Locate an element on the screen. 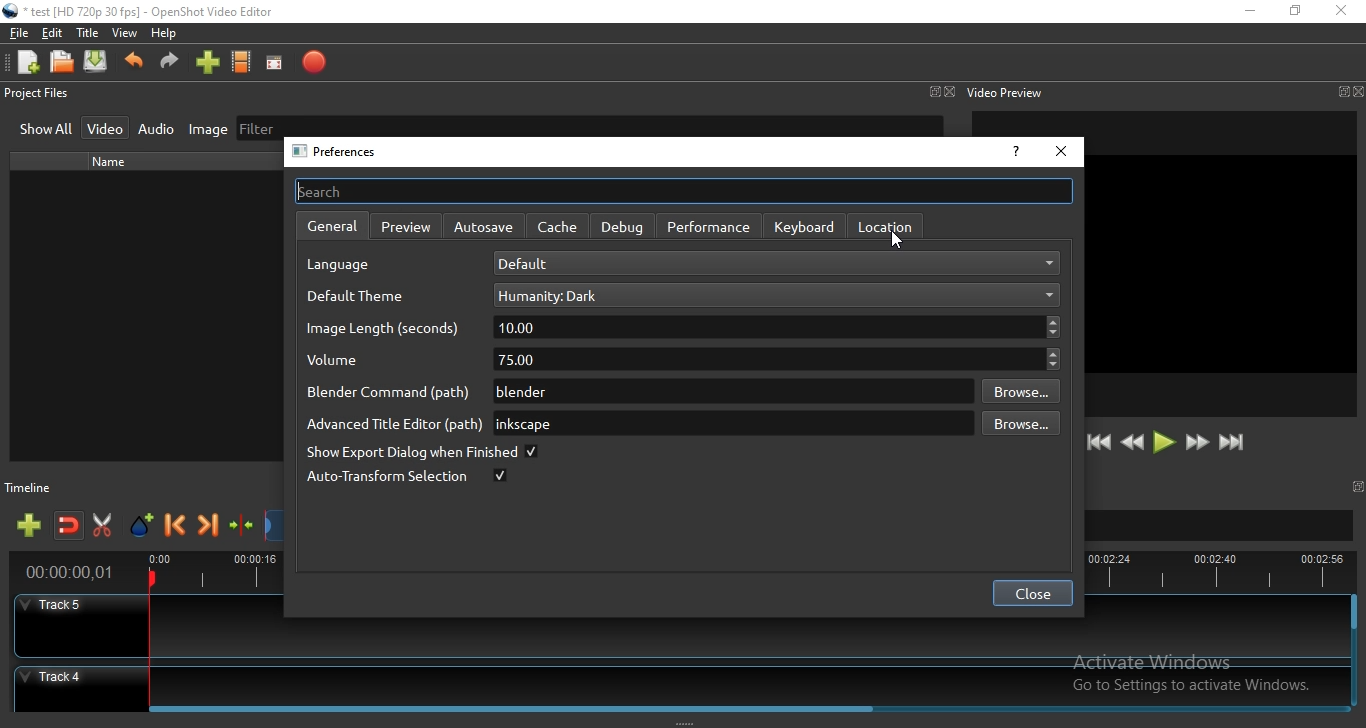 Image resolution: width=1366 pixels, height=728 pixels. Add marker is located at coordinates (143, 526).